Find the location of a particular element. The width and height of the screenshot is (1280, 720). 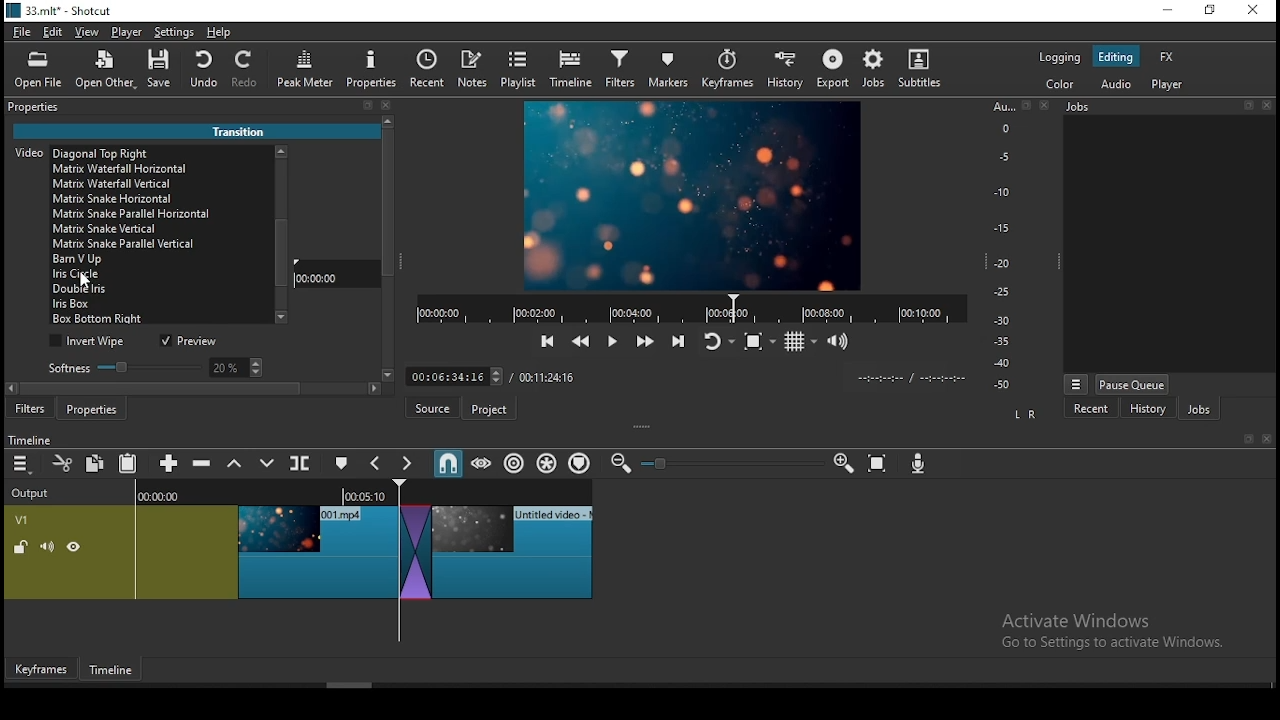

fx is located at coordinates (1167, 58).